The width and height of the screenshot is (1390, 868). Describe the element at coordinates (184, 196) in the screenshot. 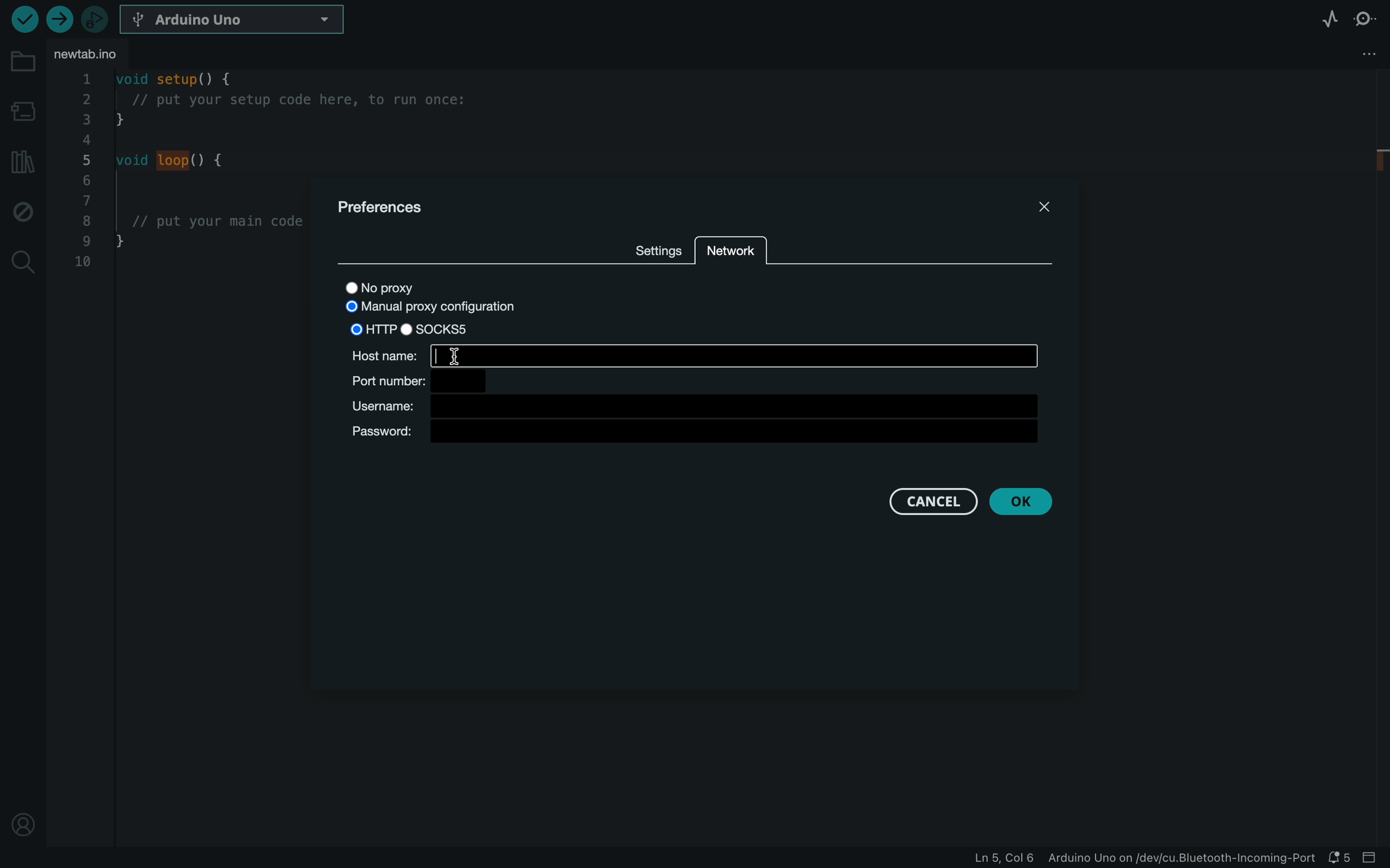

I see `code` at that location.